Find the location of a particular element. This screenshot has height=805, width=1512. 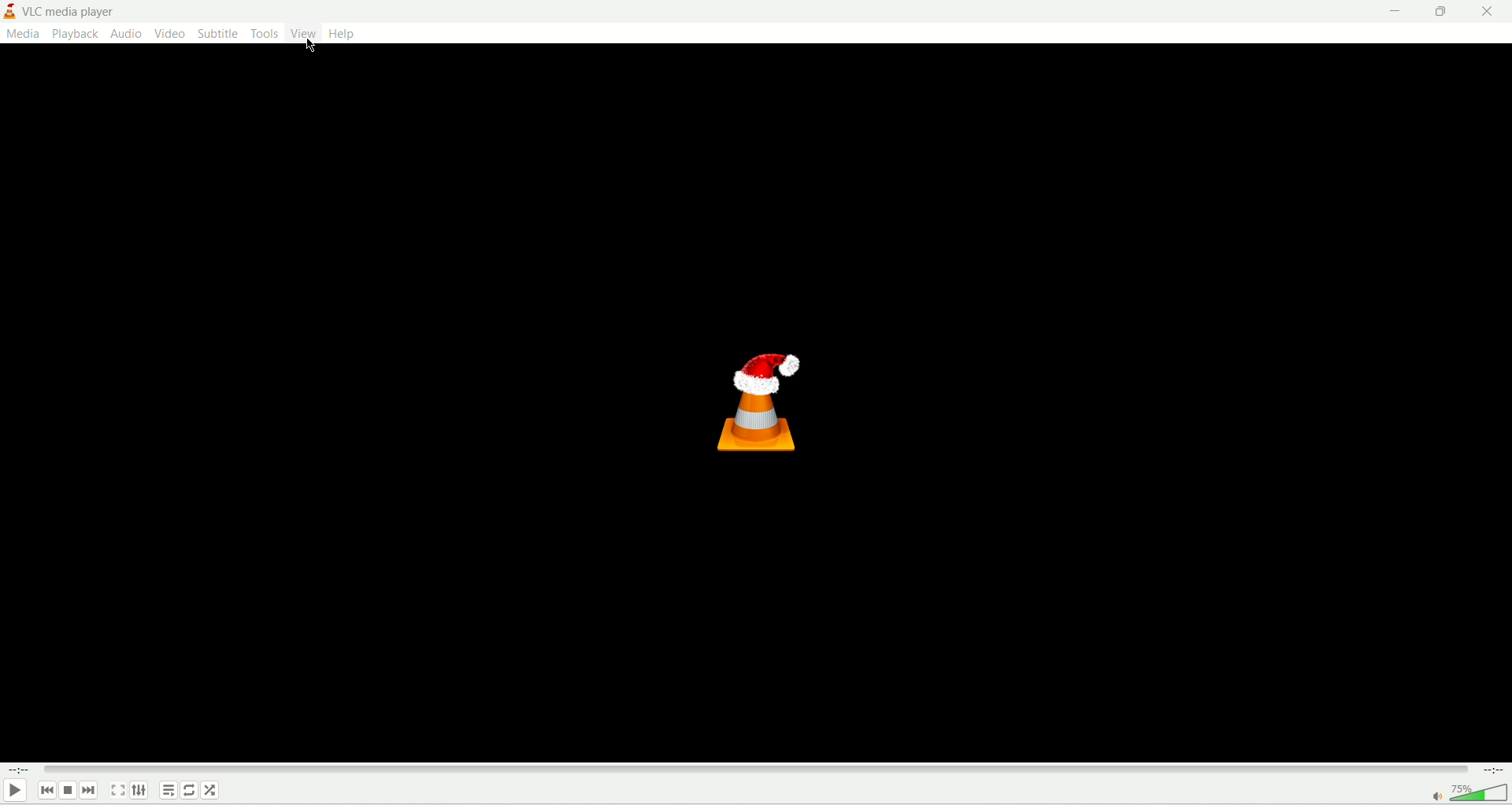

mouse cursor is located at coordinates (313, 46).